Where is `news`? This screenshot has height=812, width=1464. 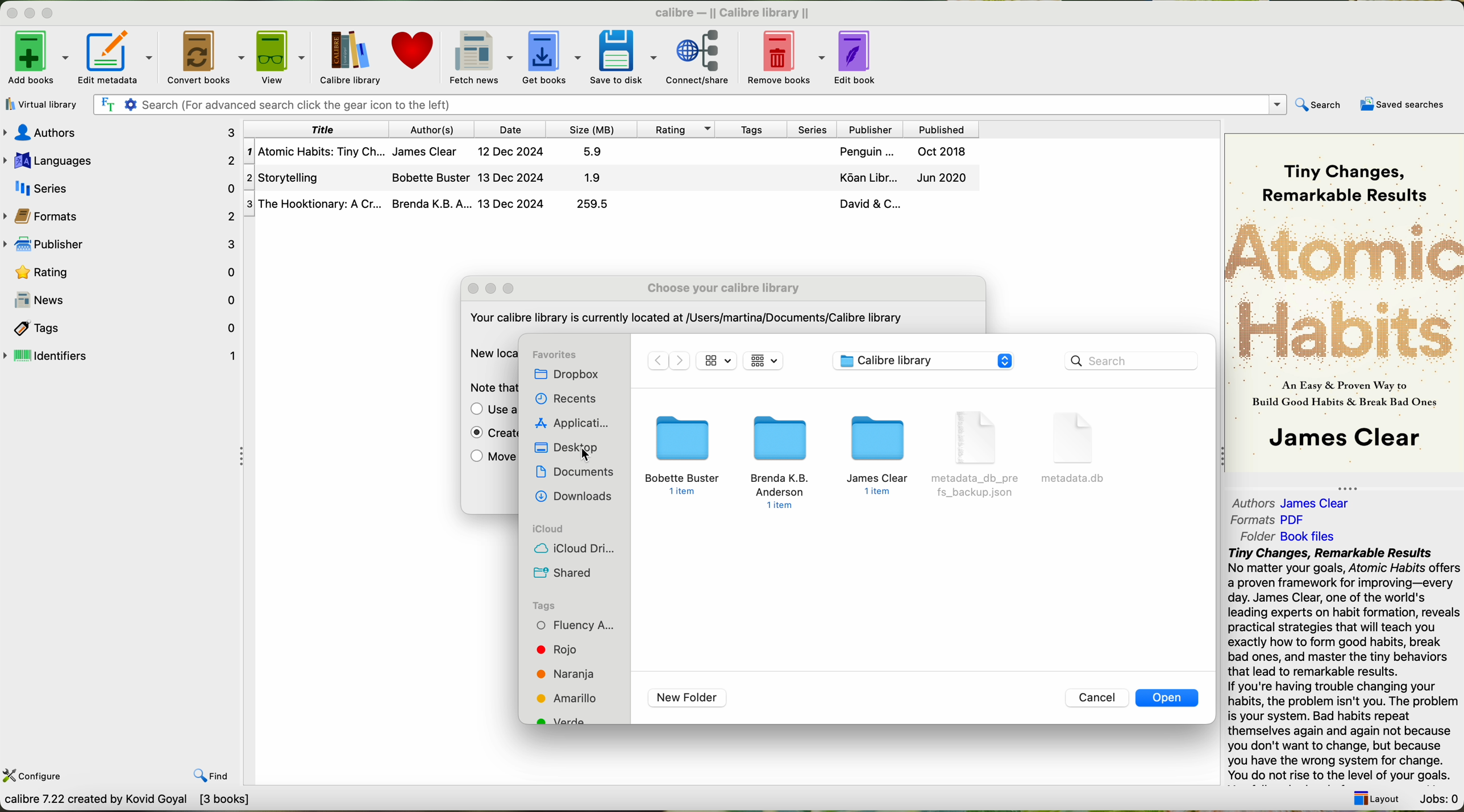
news is located at coordinates (121, 300).